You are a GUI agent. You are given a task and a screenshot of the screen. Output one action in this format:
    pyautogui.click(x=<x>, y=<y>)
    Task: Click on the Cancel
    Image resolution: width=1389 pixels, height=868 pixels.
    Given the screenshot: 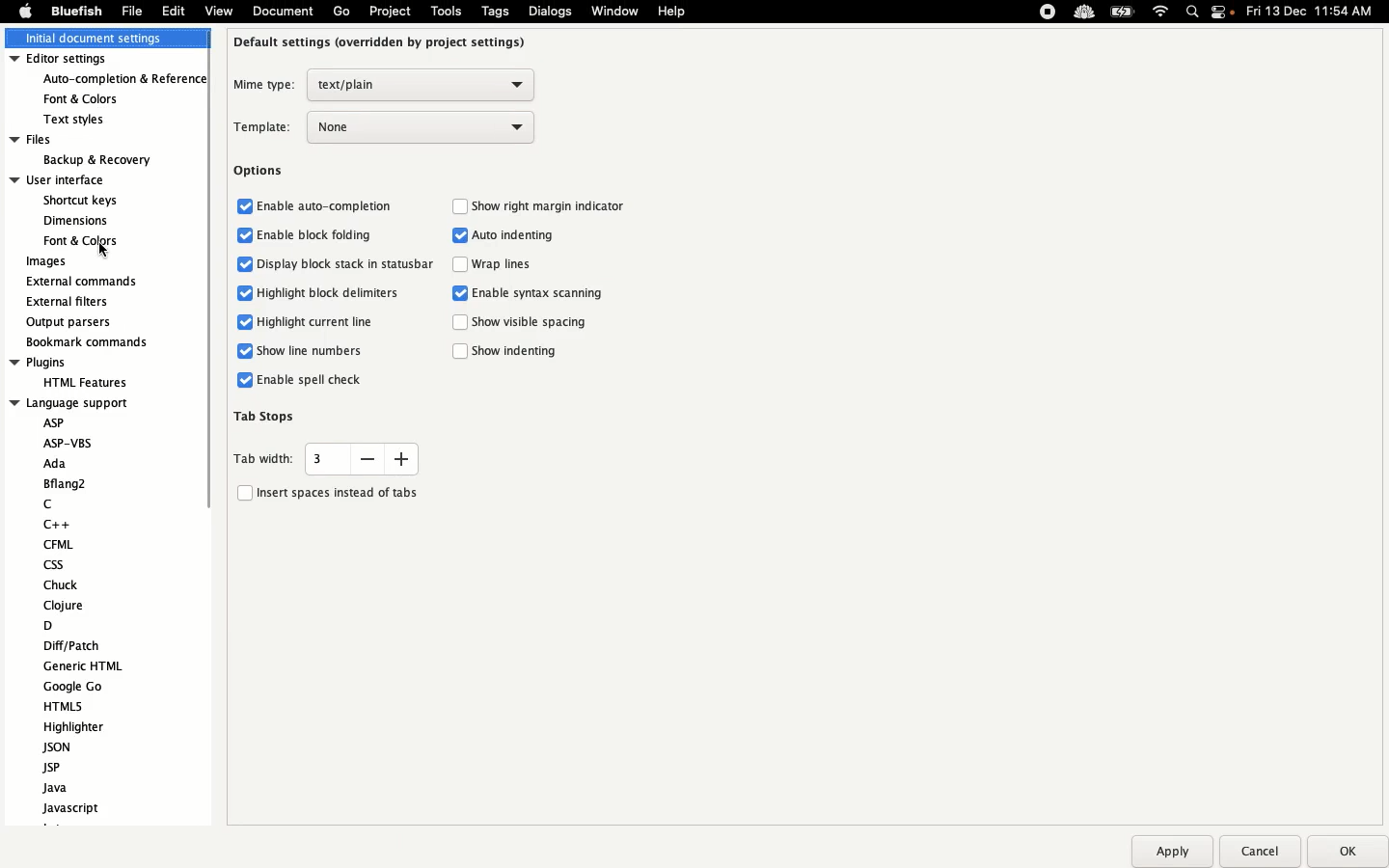 What is the action you would take?
    pyautogui.click(x=1259, y=851)
    